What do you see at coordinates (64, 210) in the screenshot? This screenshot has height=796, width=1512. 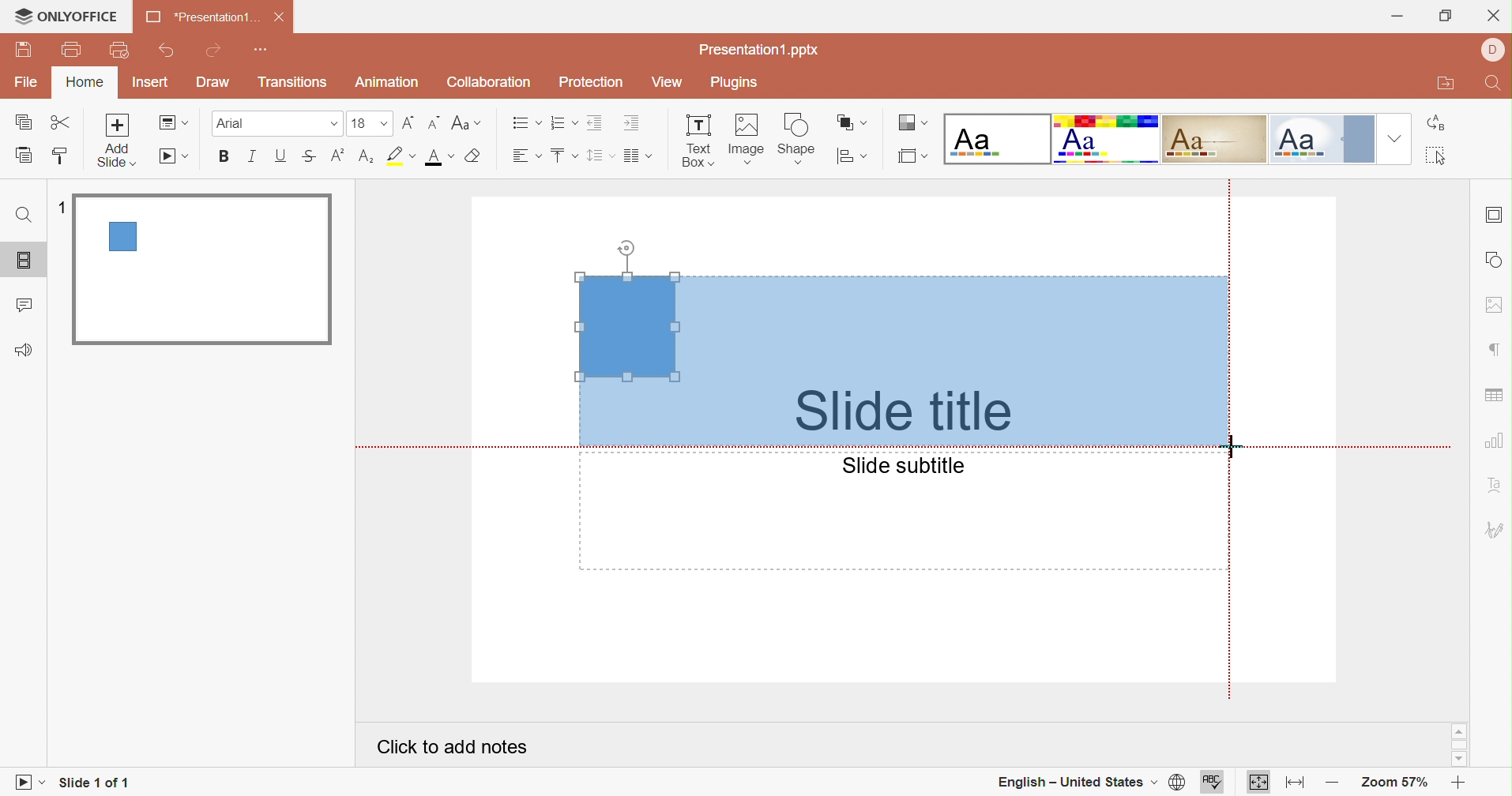 I see `1` at bounding box center [64, 210].